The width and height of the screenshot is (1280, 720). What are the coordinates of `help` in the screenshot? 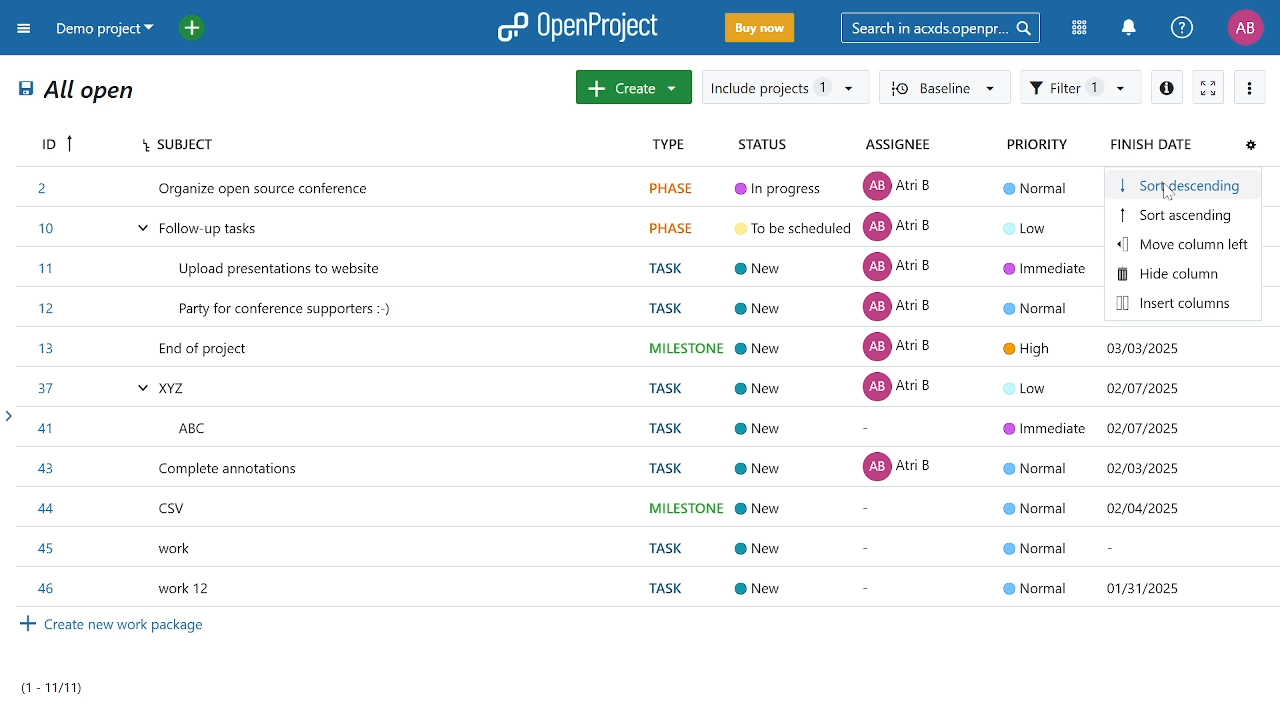 It's located at (1183, 28).